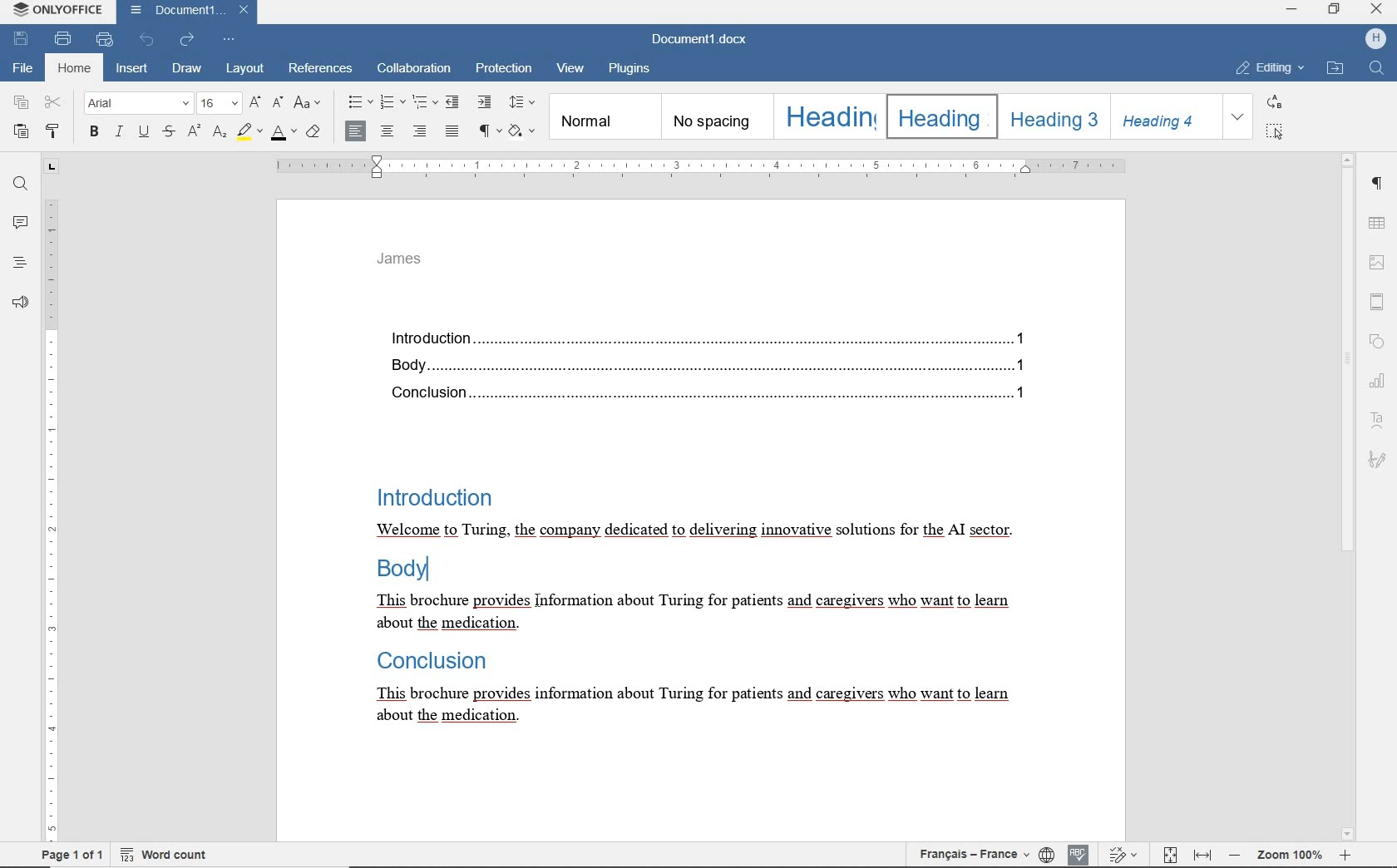  Describe the element at coordinates (432, 495) in the screenshot. I see `Introduction` at that location.